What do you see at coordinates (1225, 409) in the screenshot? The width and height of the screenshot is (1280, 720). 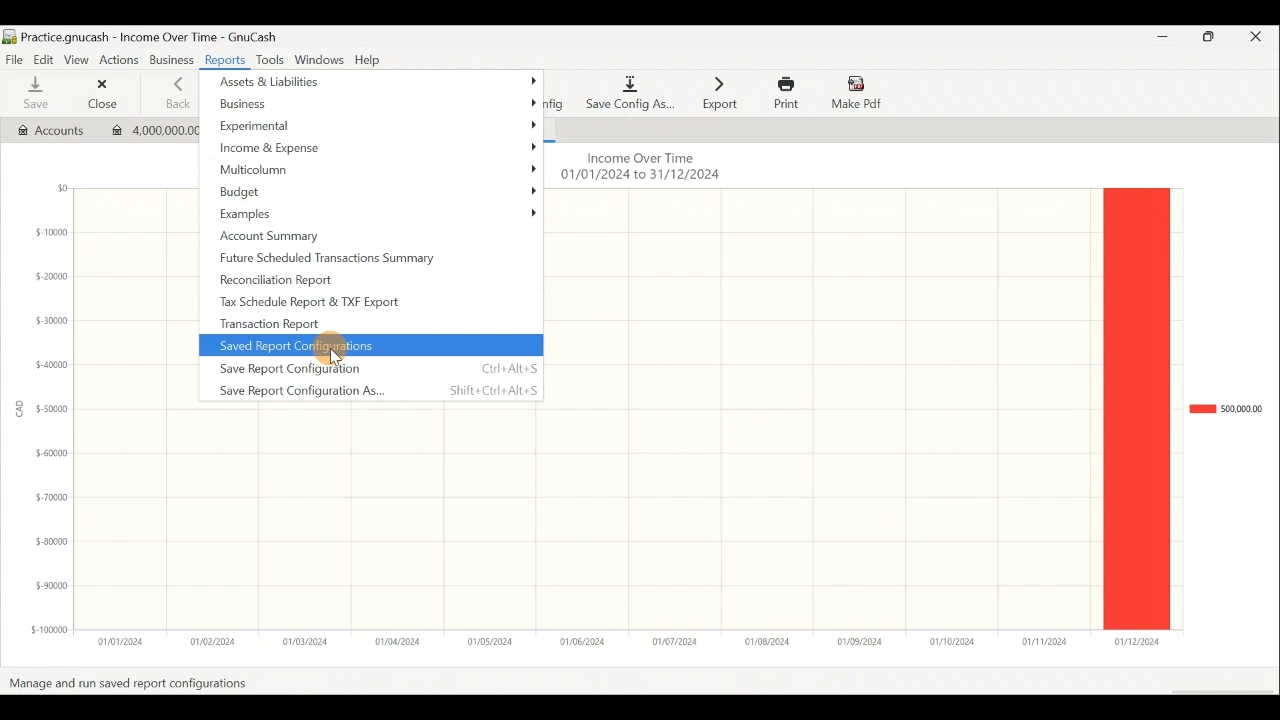 I see `Chart legend` at bounding box center [1225, 409].